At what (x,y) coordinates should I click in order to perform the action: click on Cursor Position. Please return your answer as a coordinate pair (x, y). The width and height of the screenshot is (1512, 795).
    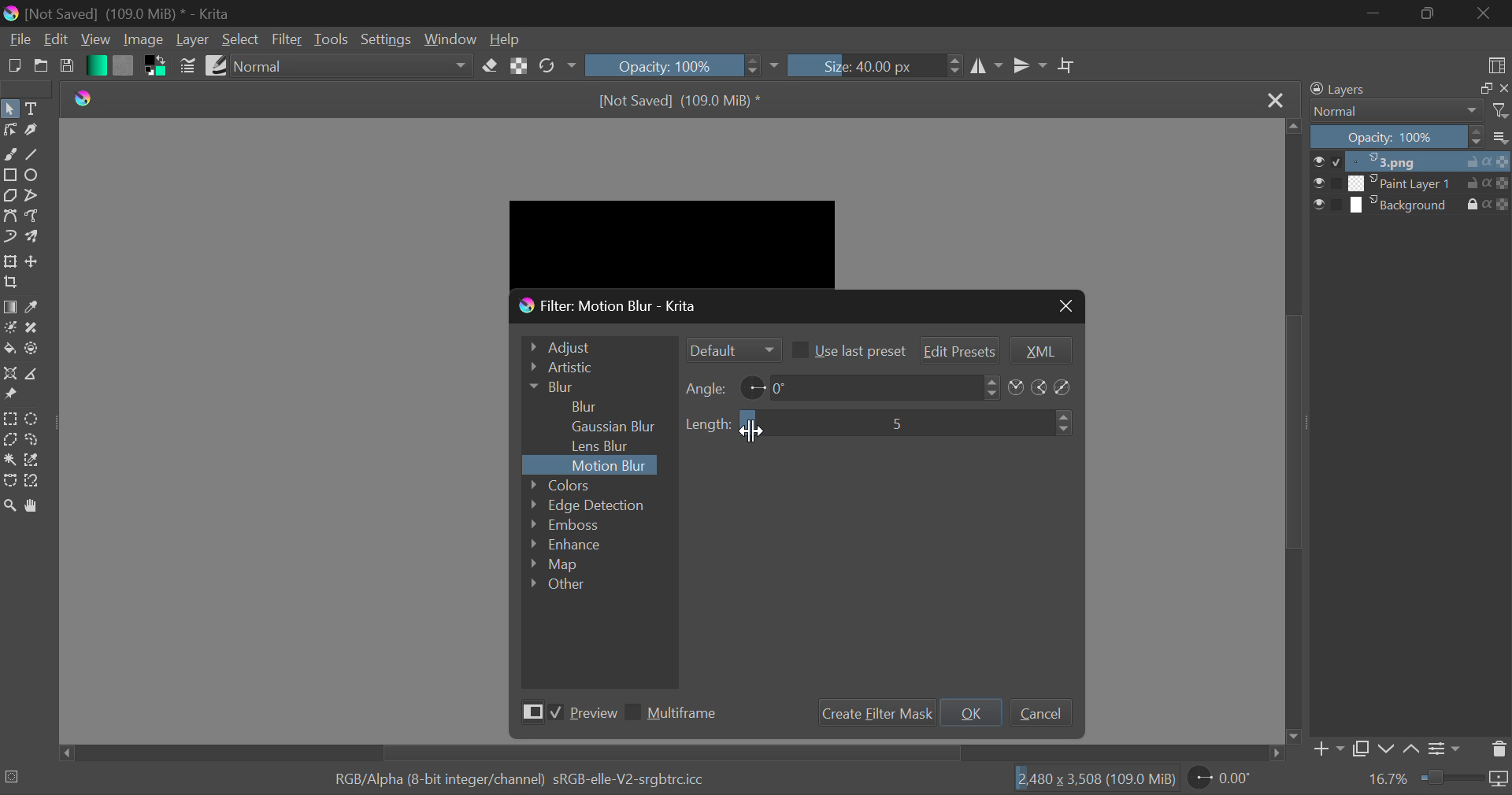
    Looking at the image, I should click on (752, 429).